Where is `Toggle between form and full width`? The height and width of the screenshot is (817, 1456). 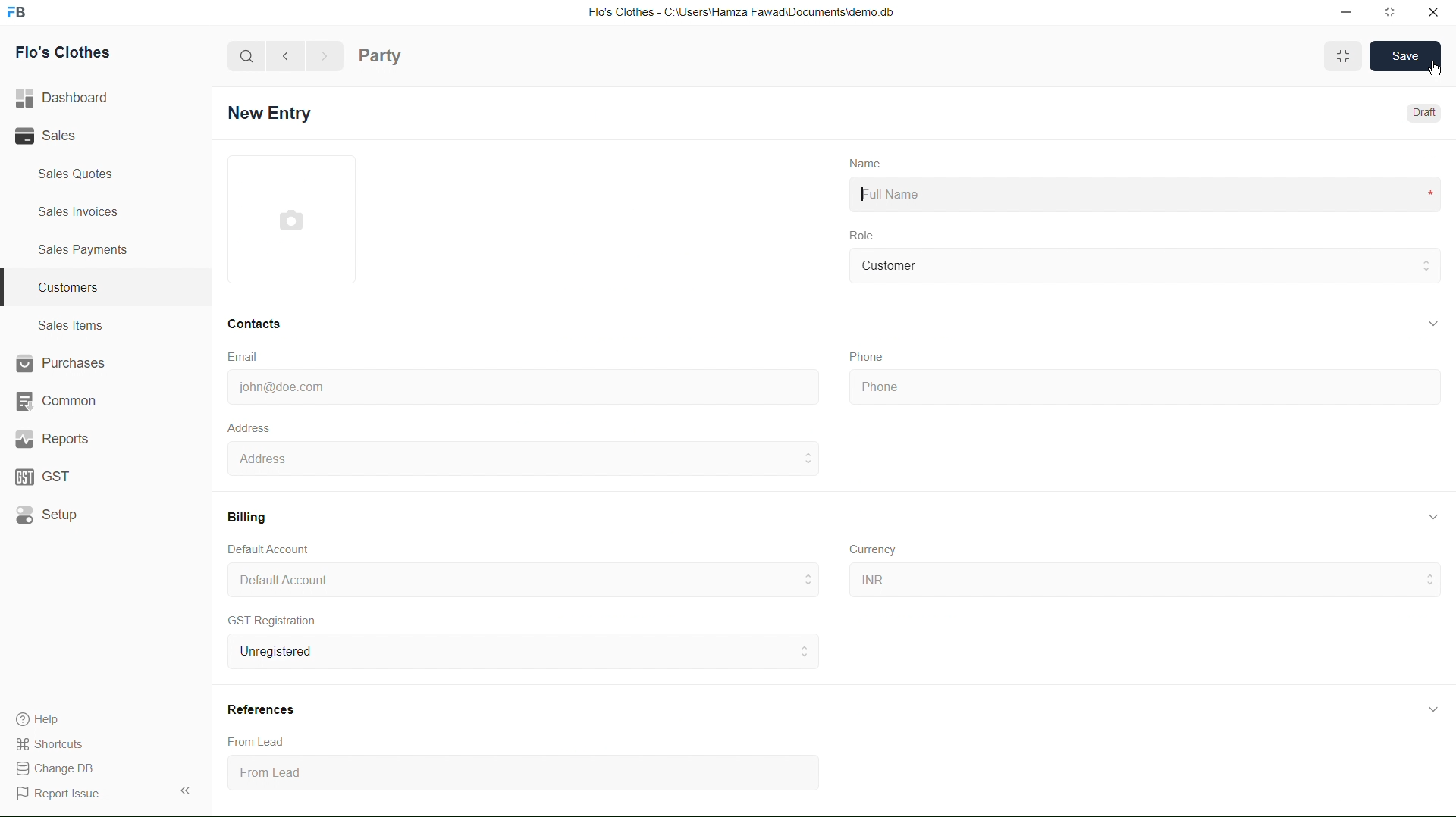
Toggle between form and full width is located at coordinates (1342, 55).